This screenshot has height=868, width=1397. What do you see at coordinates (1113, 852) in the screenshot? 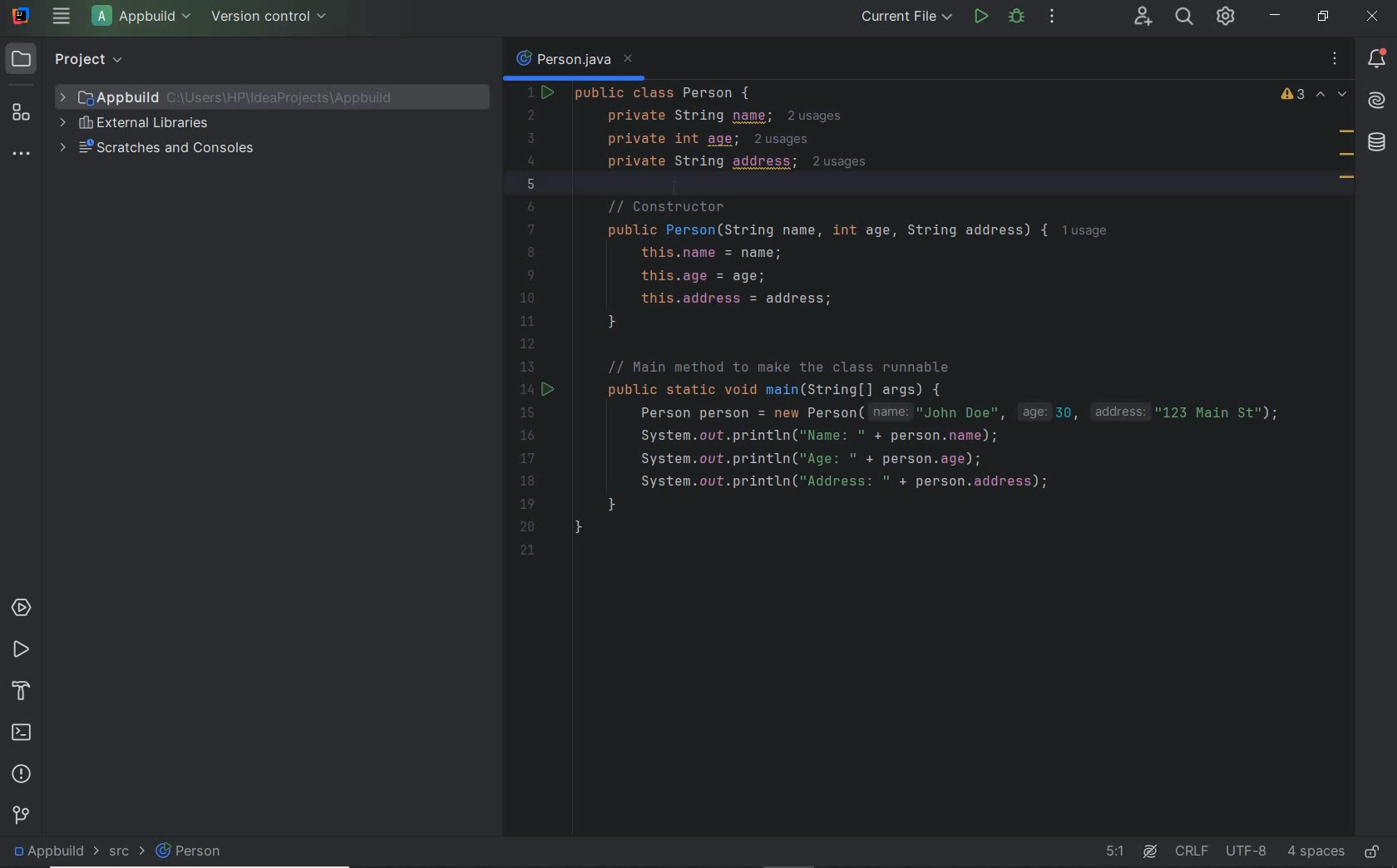
I see `go to line` at bounding box center [1113, 852].